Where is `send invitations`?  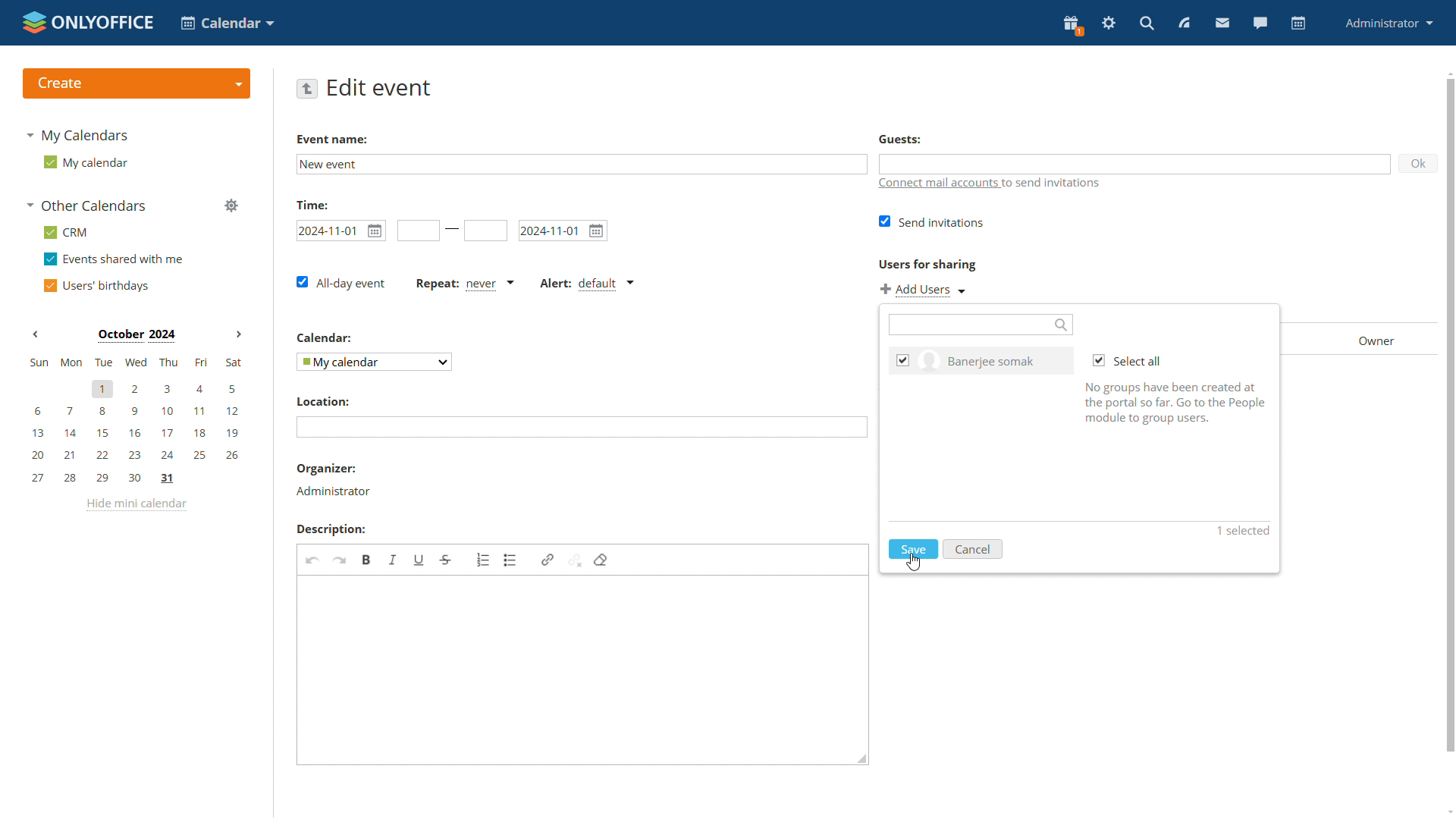 send invitations is located at coordinates (931, 221).